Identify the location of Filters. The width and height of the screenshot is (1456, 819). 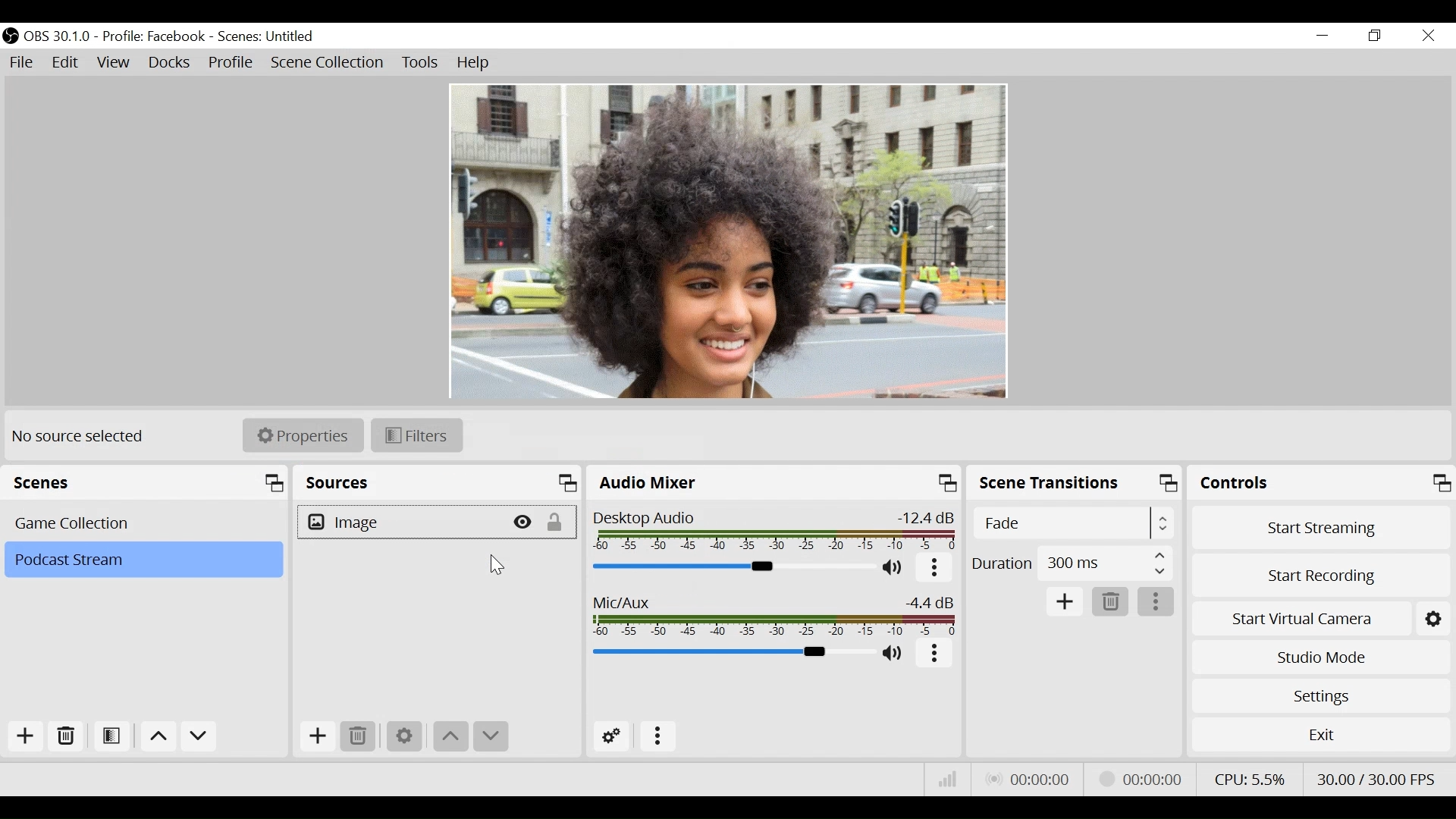
(417, 435).